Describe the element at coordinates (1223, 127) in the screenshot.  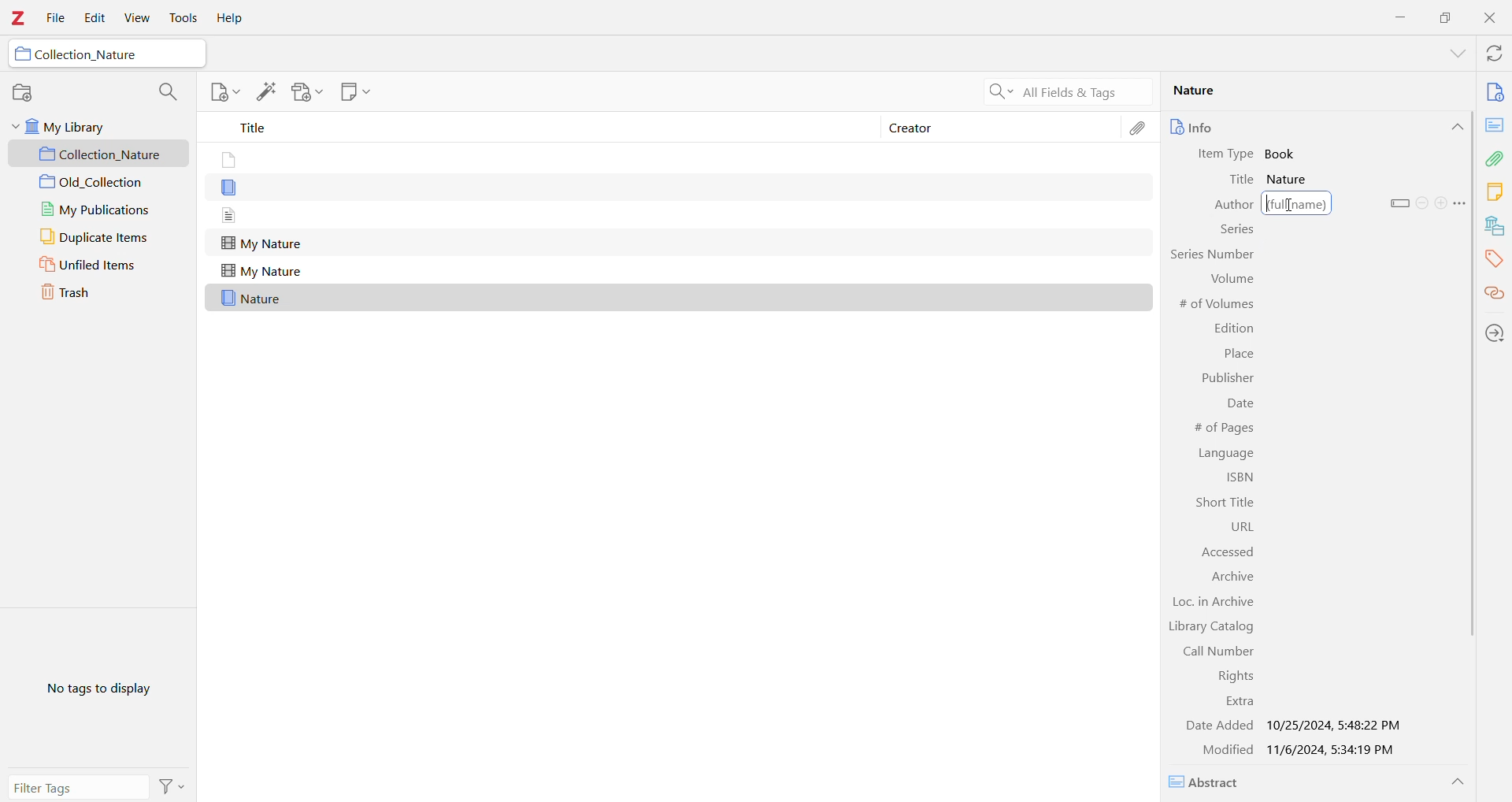
I see `Info` at that location.